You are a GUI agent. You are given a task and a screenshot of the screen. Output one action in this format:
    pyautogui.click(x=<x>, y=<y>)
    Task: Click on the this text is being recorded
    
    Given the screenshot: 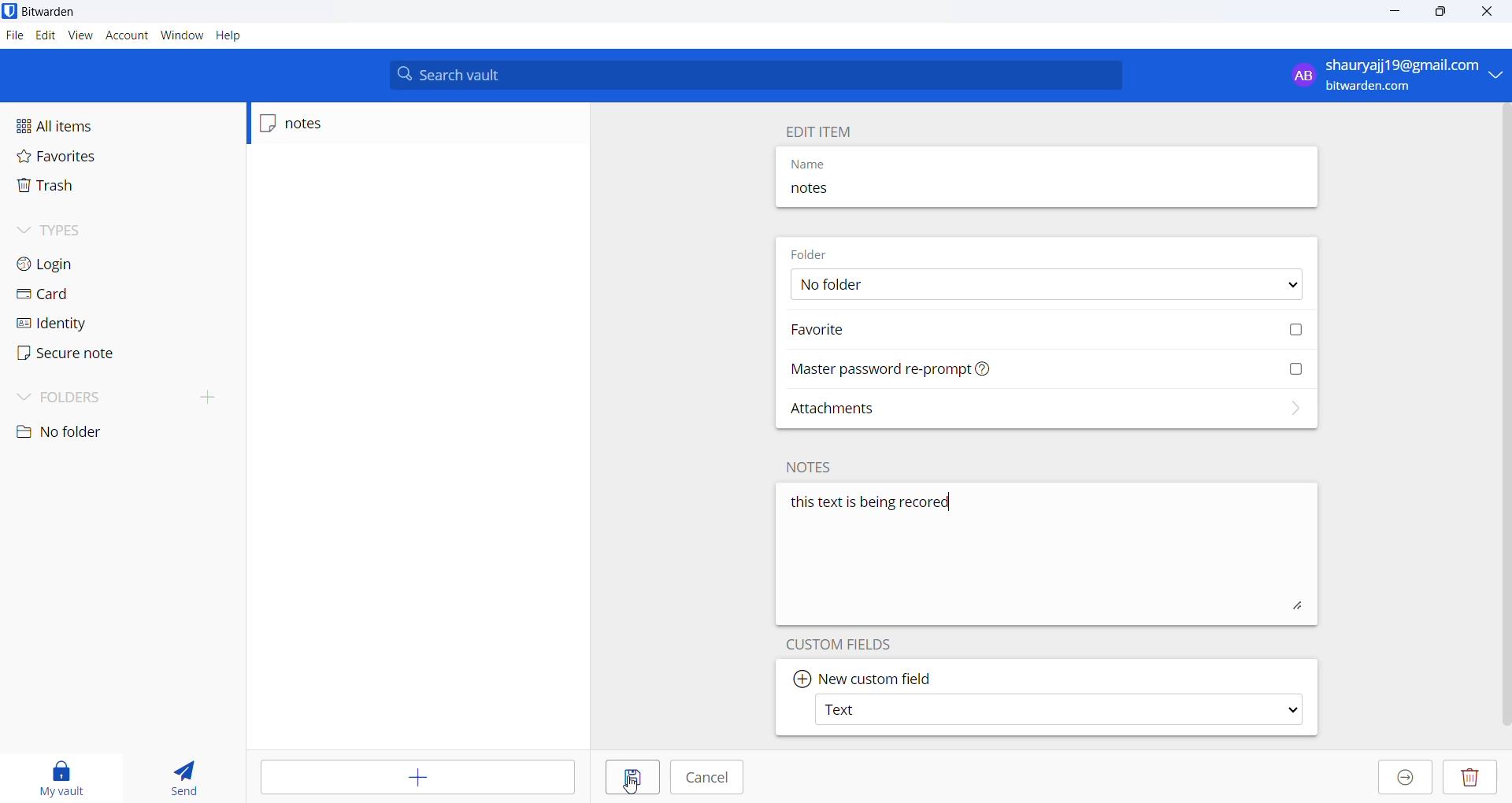 What is the action you would take?
    pyautogui.click(x=1049, y=556)
    